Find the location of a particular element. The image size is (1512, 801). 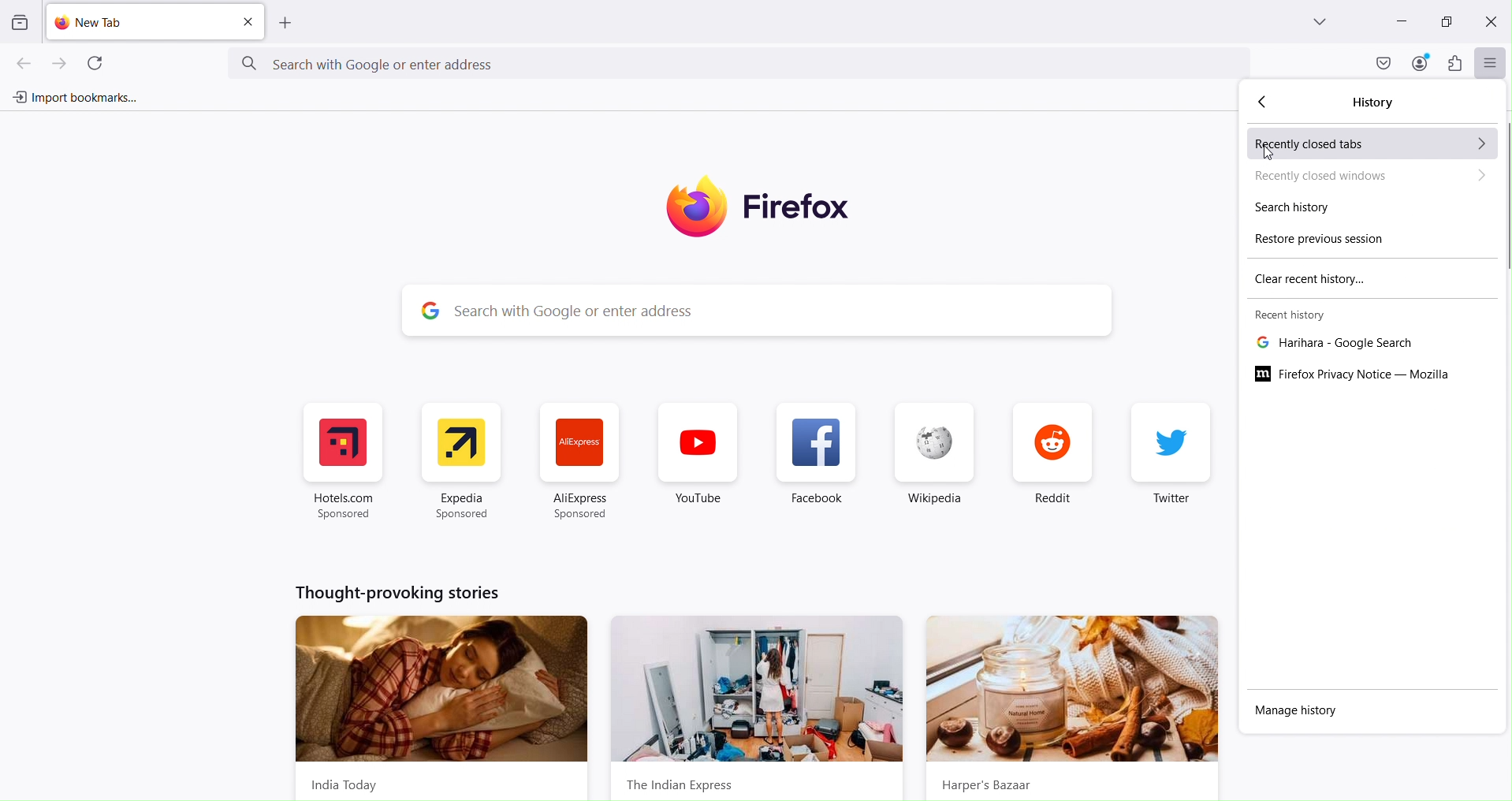

Manage history is located at coordinates (1358, 713).